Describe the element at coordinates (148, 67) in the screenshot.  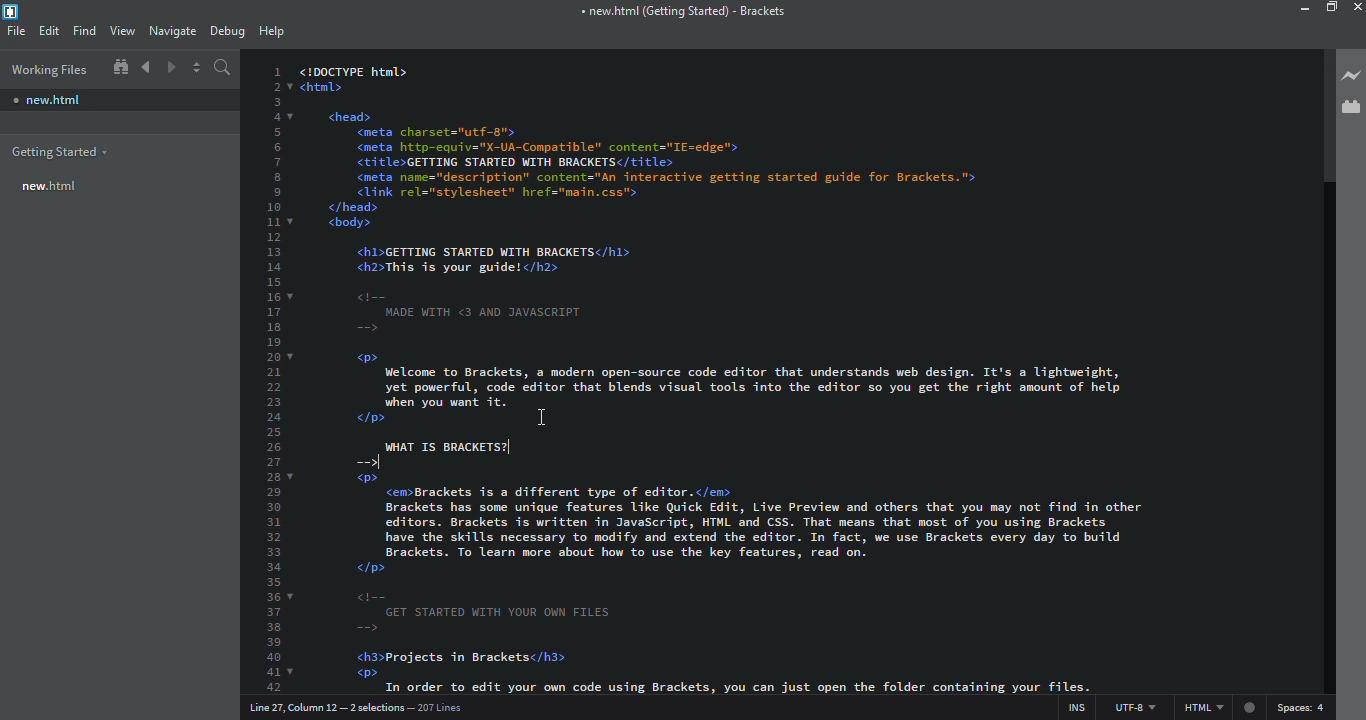
I see `navigate back` at that location.